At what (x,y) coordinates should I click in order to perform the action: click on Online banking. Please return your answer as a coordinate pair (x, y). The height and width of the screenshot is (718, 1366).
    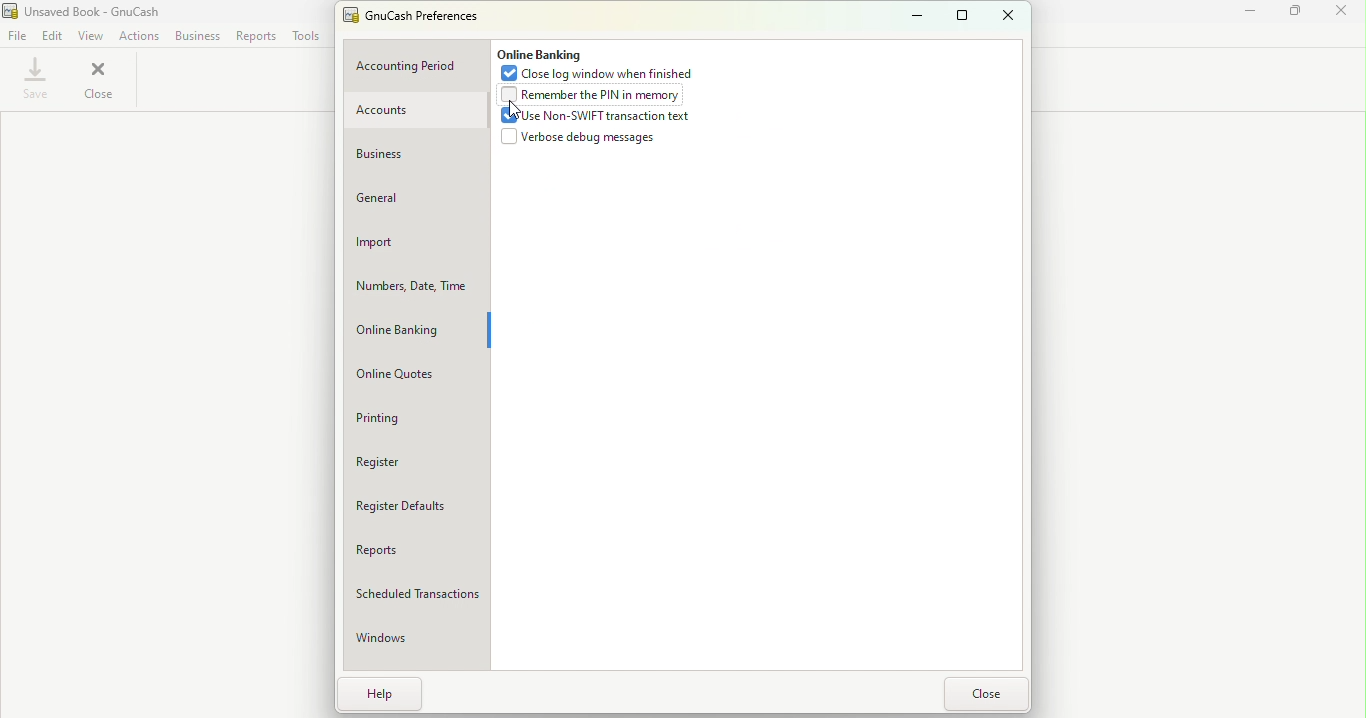
    Looking at the image, I should click on (411, 330).